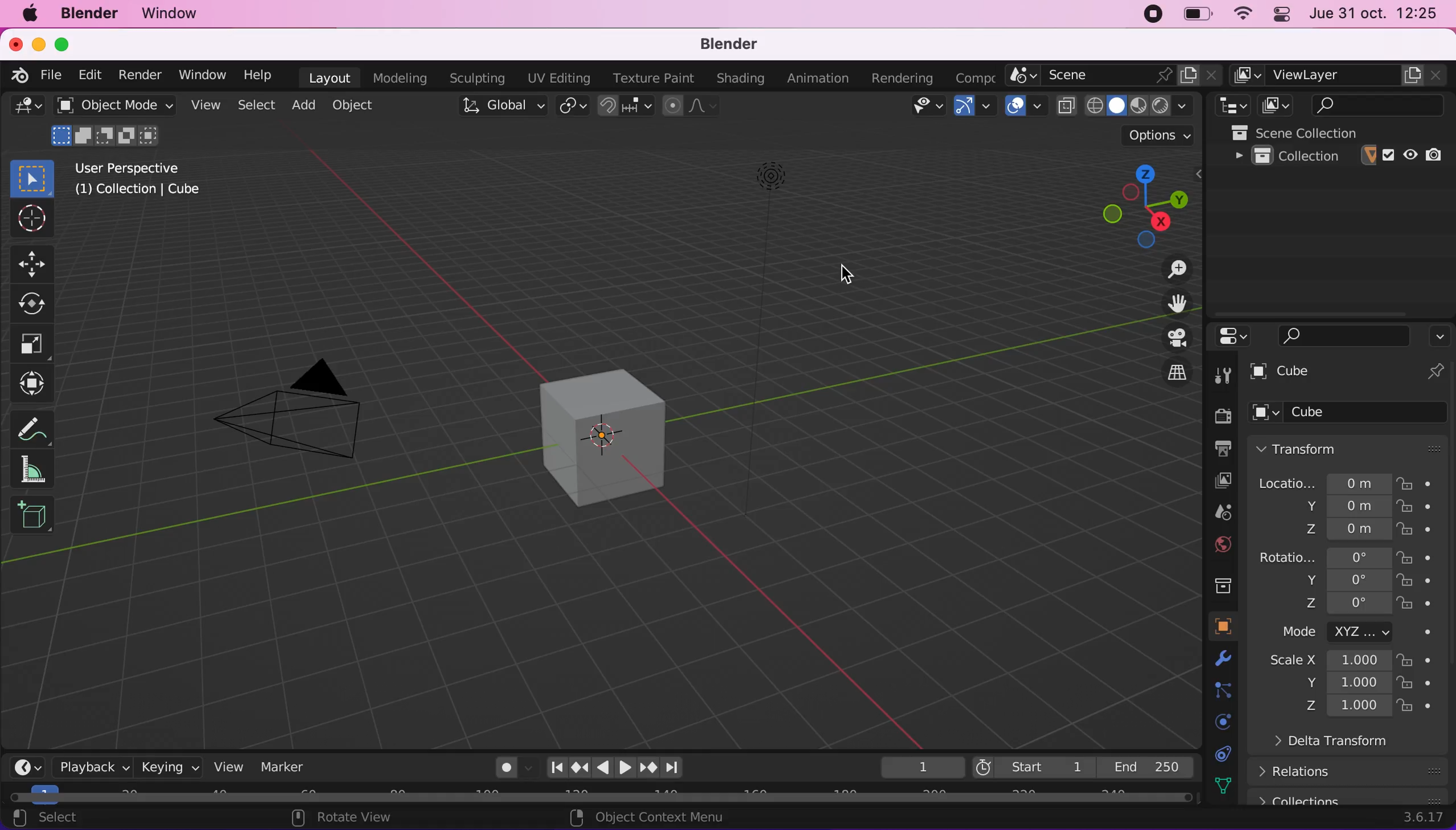 This screenshot has width=1456, height=830. What do you see at coordinates (1214, 659) in the screenshot?
I see `modifiers` at bounding box center [1214, 659].